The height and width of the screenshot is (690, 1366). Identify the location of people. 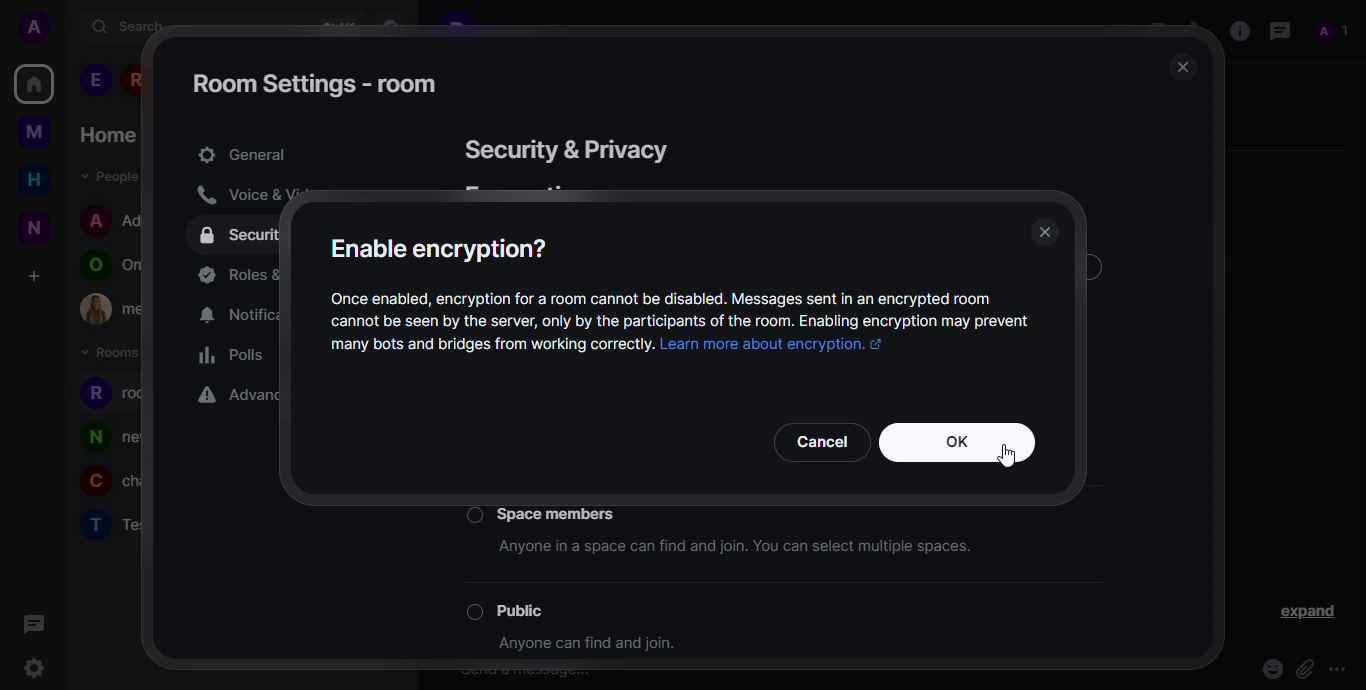
(1333, 31).